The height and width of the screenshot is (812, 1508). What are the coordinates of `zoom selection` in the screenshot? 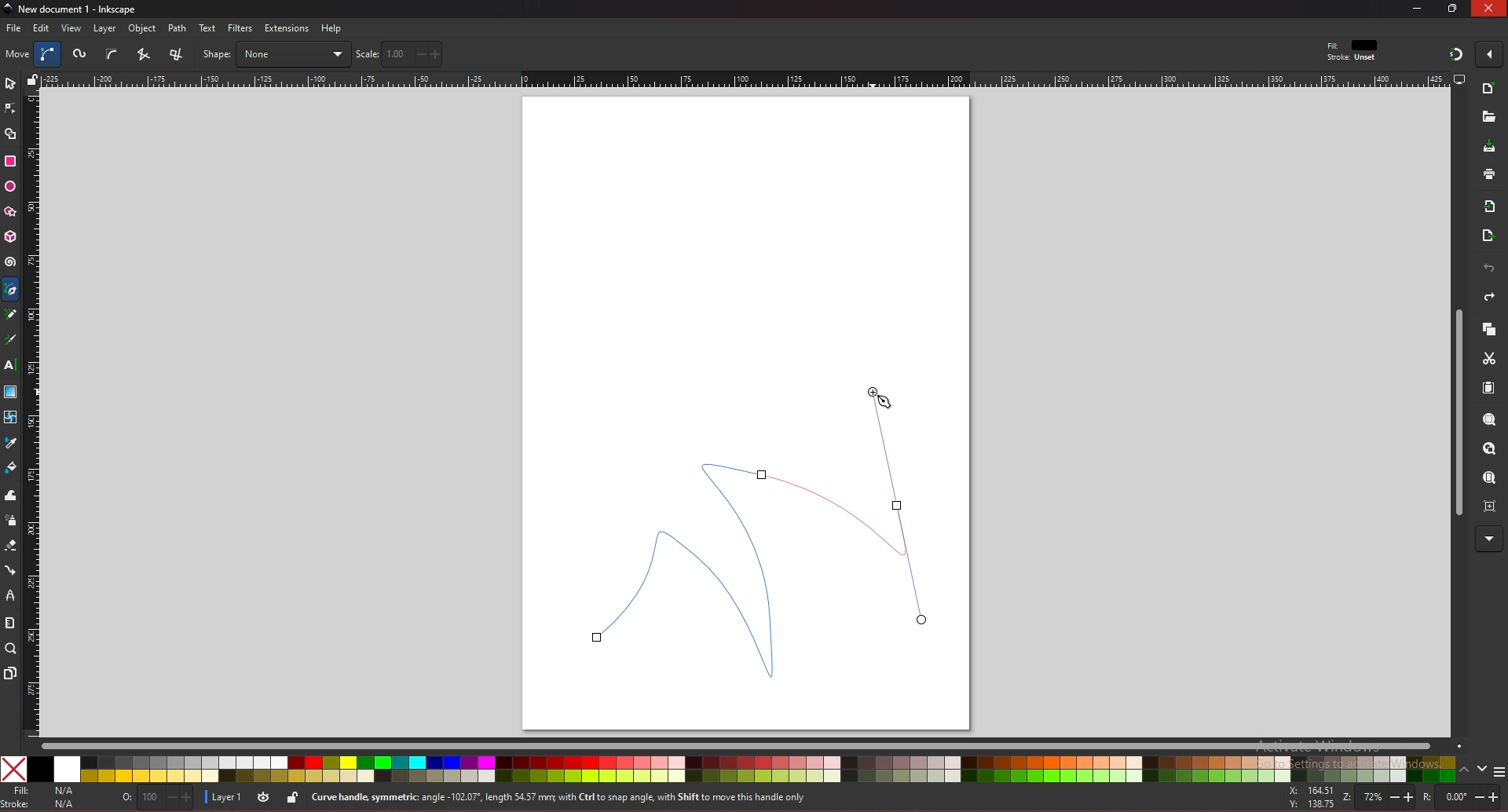 It's located at (1491, 421).